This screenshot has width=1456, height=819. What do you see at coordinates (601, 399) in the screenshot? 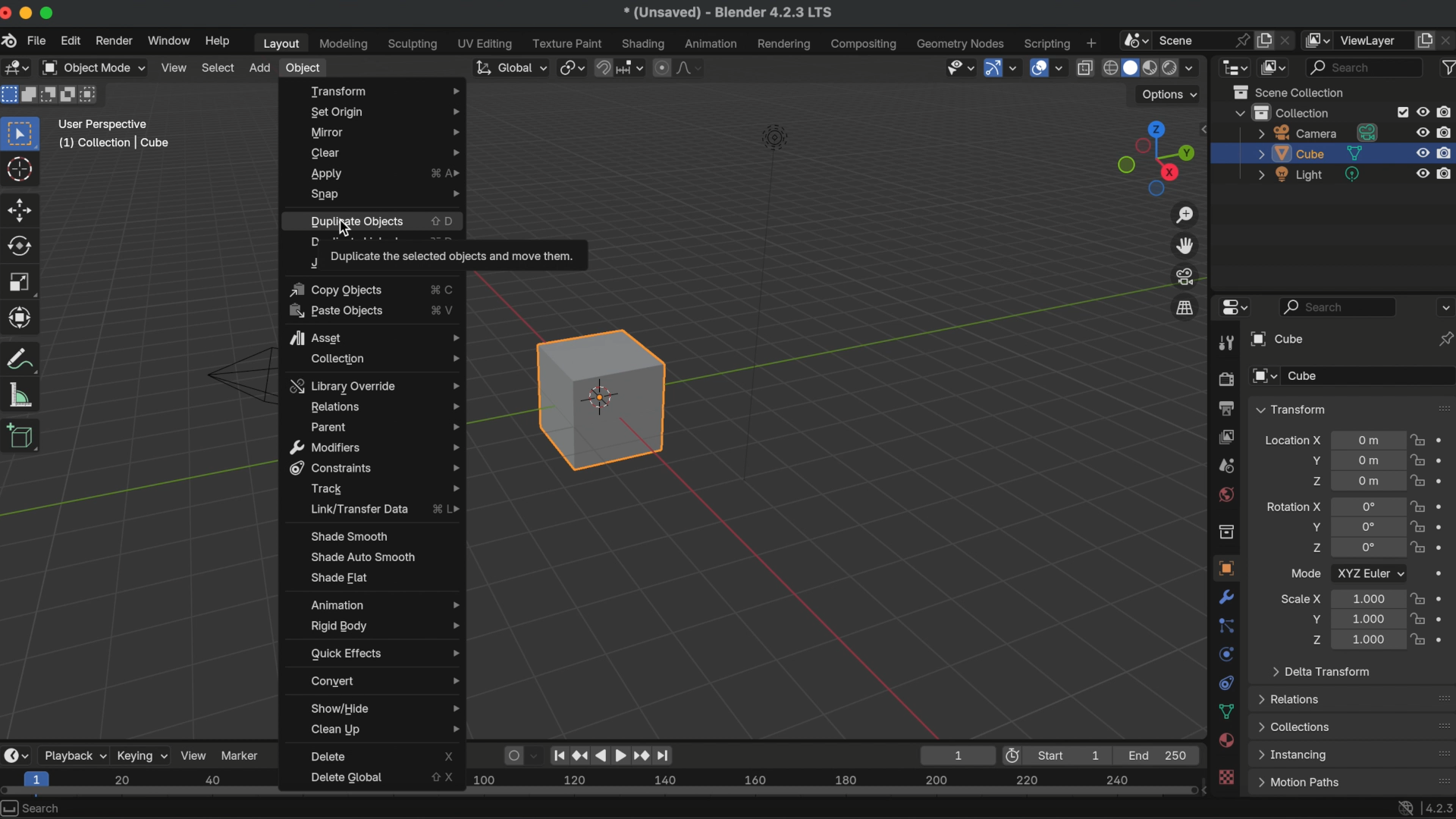
I see `cube` at bounding box center [601, 399].